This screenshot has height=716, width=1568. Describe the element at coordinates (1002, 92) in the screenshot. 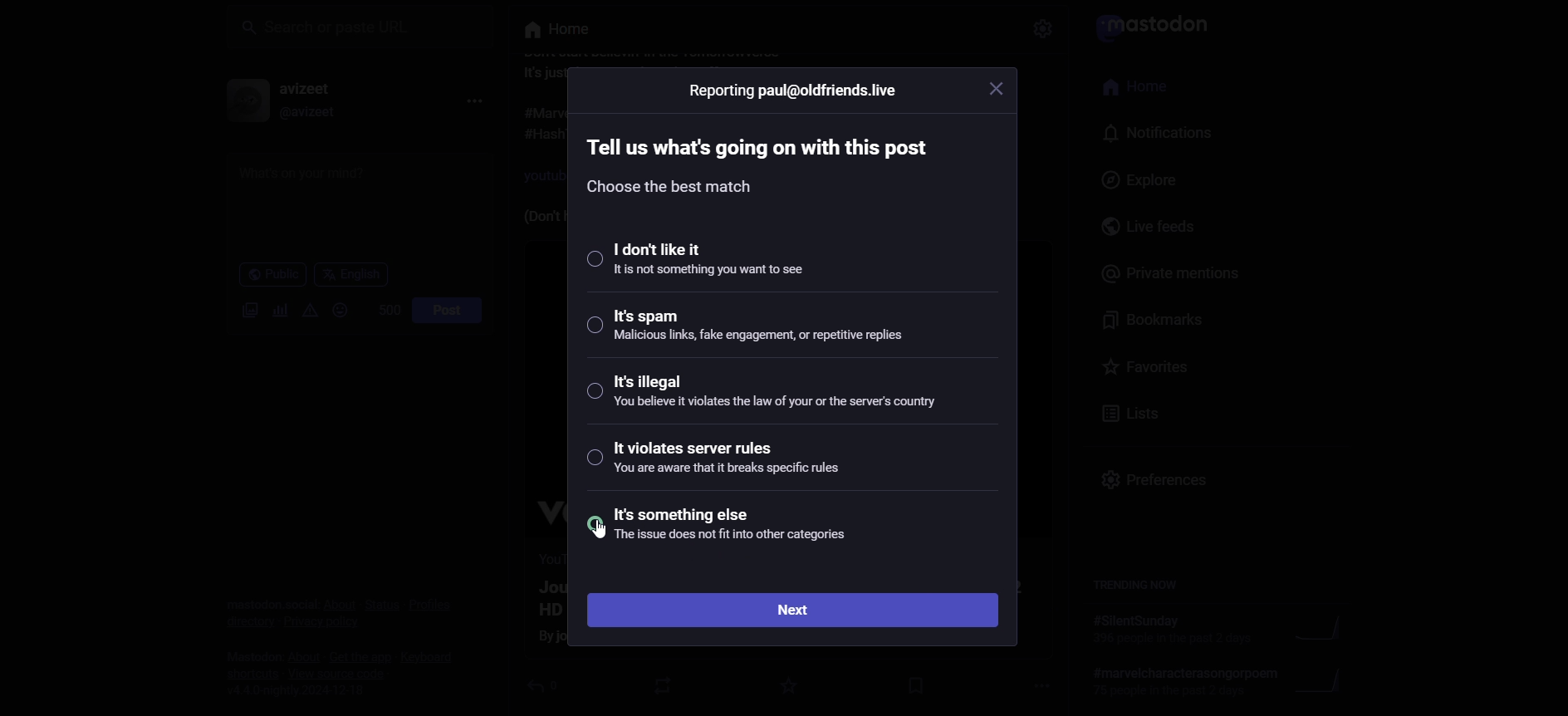

I see `close` at that location.